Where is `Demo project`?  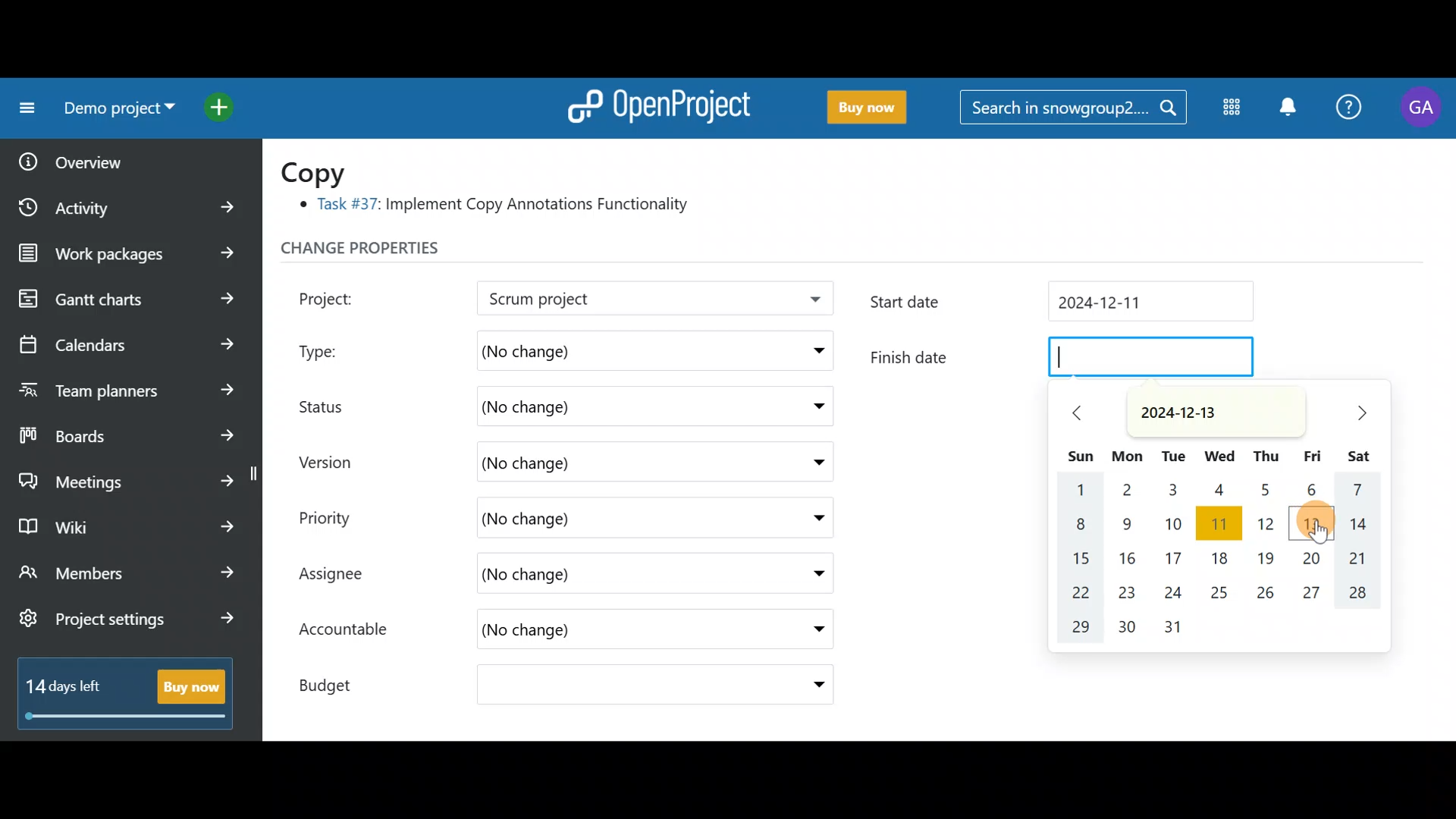
Demo project is located at coordinates (114, 111).